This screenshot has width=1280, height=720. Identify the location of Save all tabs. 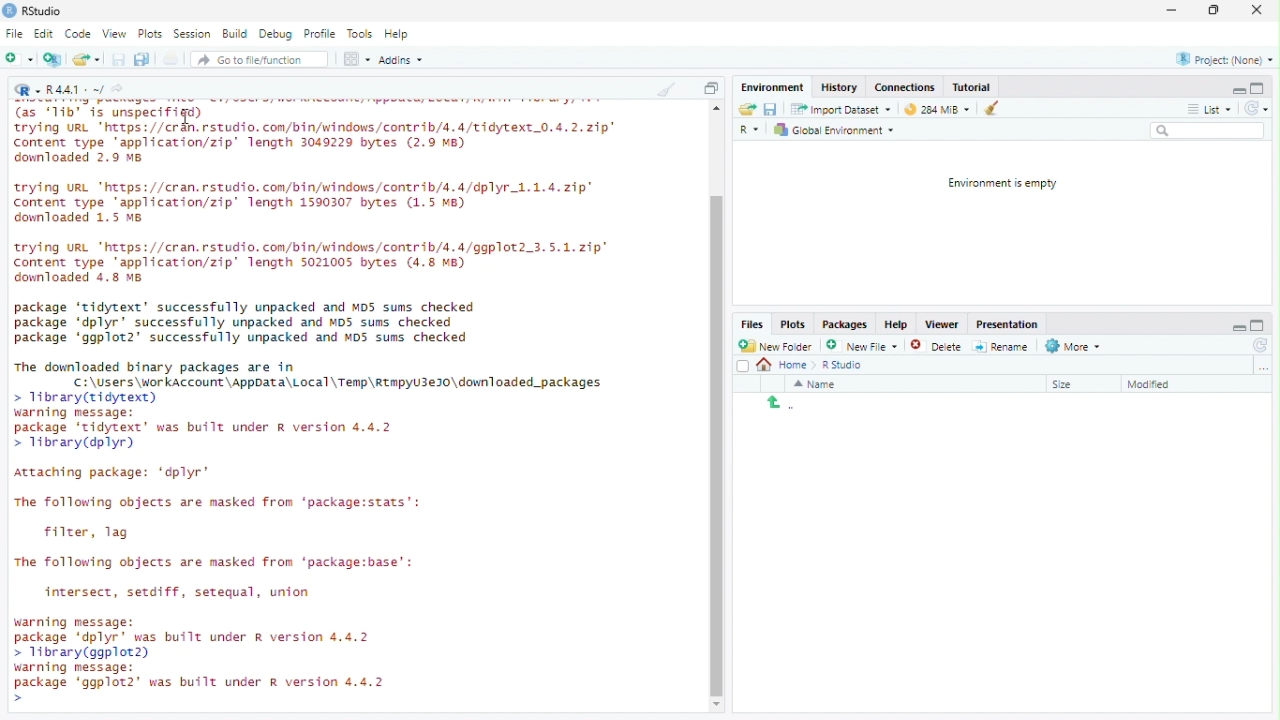
(141, 58).